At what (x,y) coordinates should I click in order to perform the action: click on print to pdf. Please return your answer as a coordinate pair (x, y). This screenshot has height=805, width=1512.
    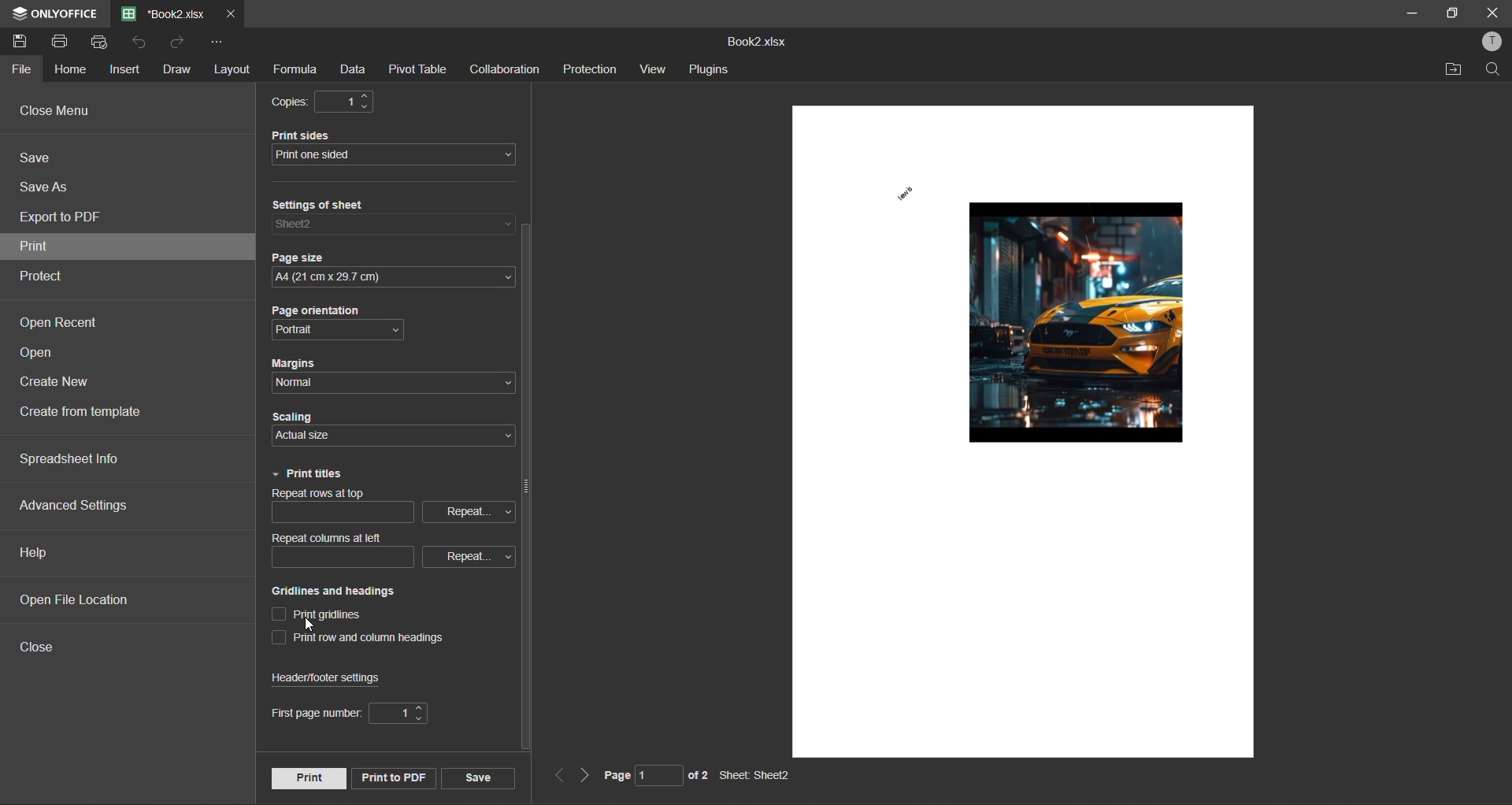
    Looking at the image, I should click on (391, 778).